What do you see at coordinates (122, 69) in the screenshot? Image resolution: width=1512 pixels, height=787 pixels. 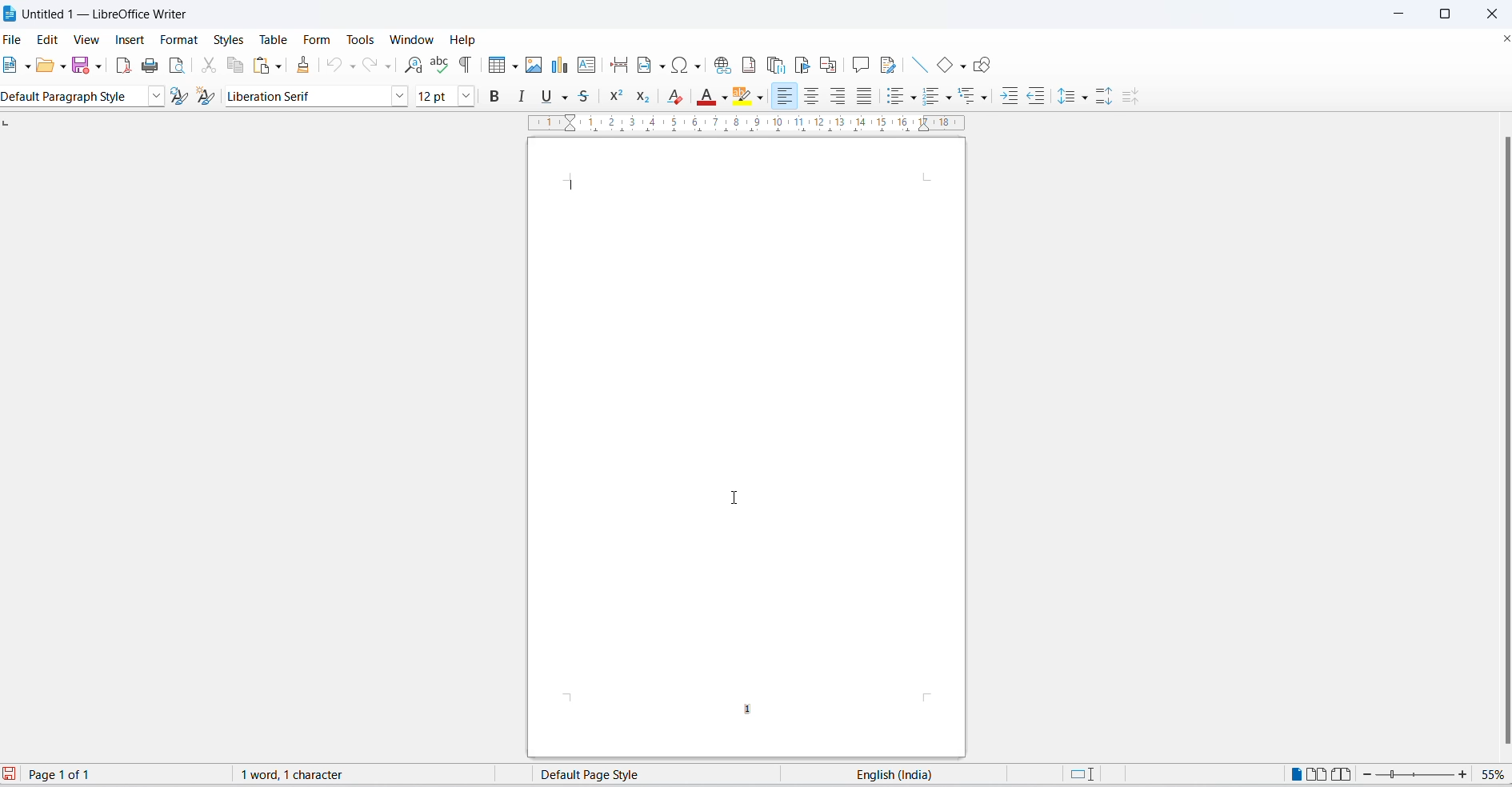 I see `export as pdf` at bounding box center [122, 69].